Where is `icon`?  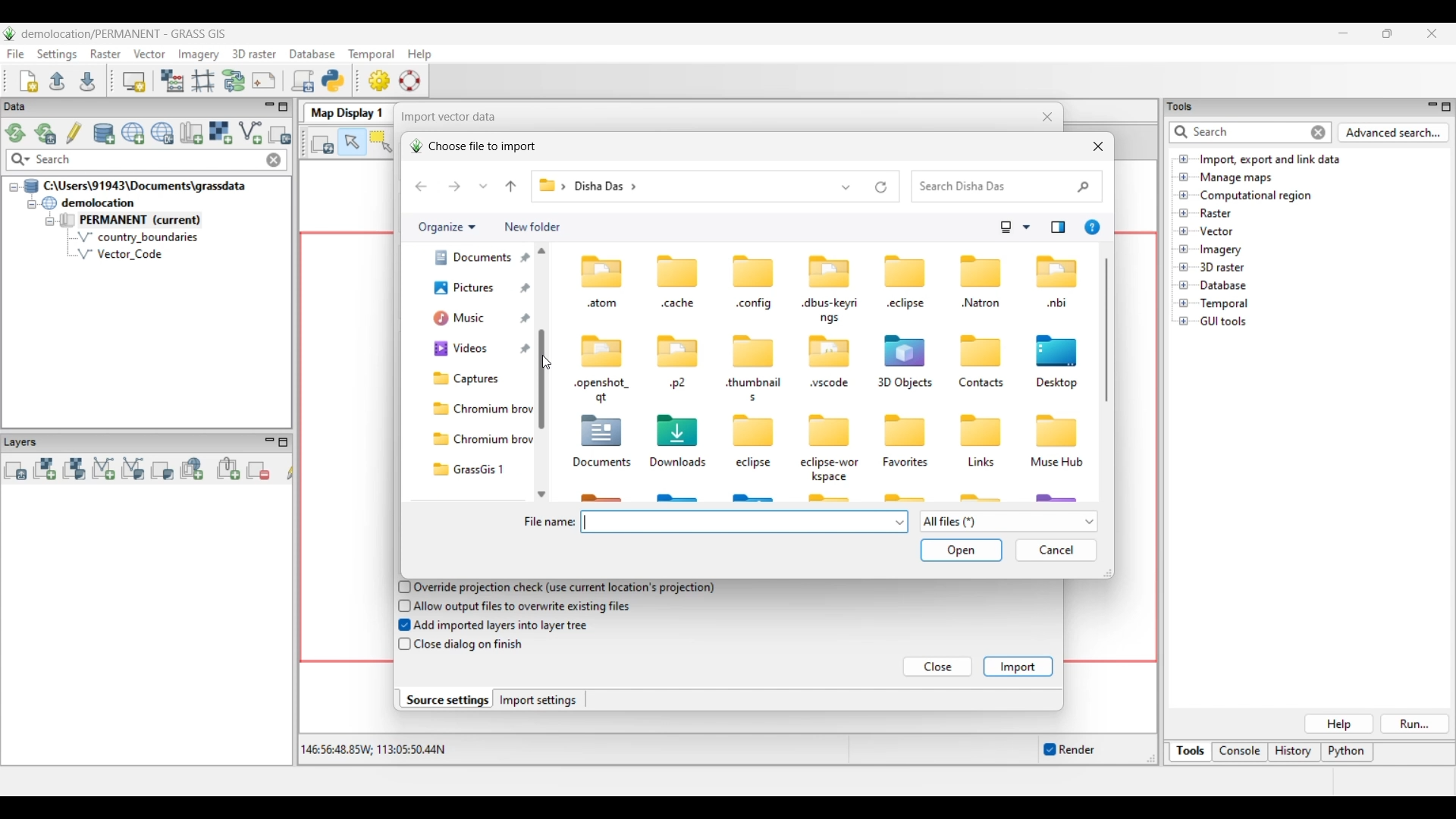 icon is located at coordinates (830, 270).